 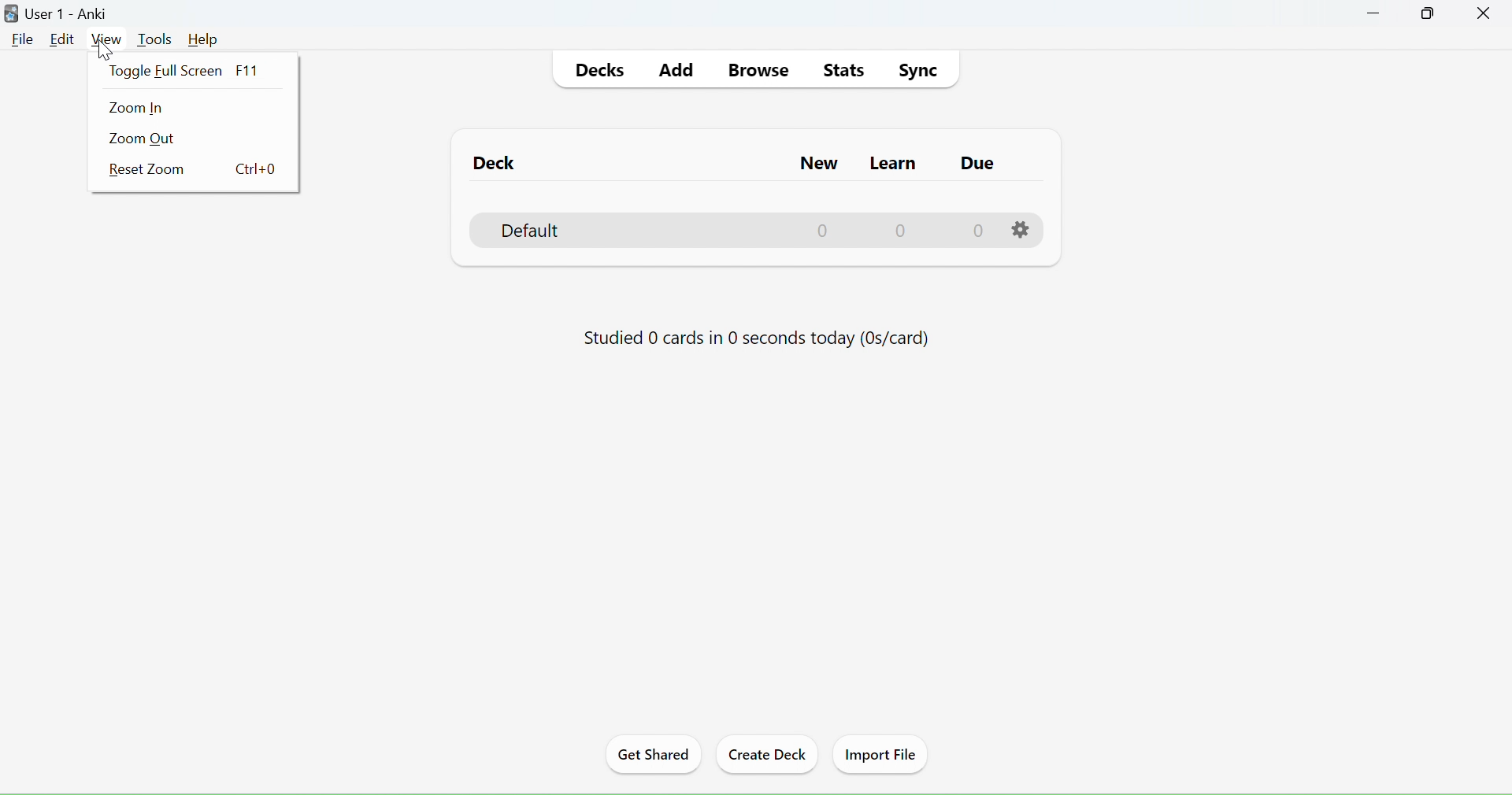 What do you see at coordinates (754, 334) in the screenshot?
I see `Studied 0 cards in 0 seconds` at bounding box center [754, 334].